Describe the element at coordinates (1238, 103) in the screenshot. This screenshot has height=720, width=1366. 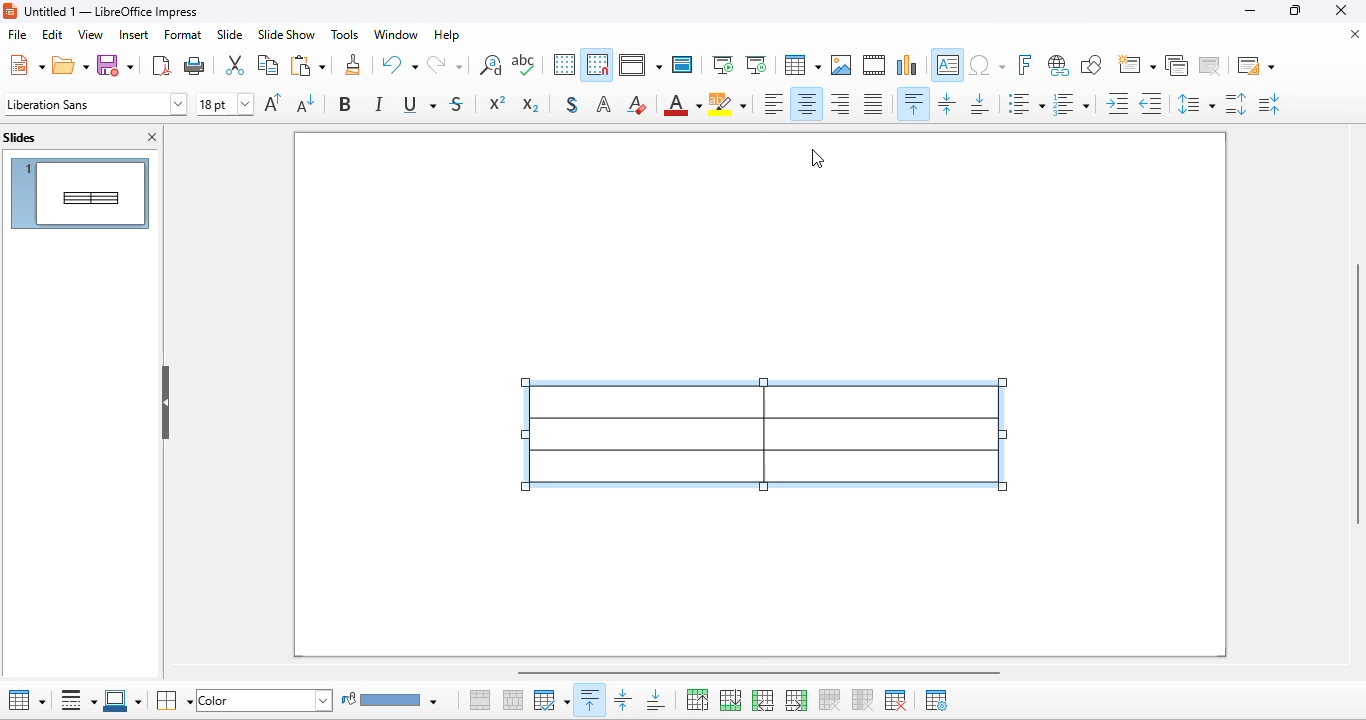
I see `increase paragraph spacing` at that location.